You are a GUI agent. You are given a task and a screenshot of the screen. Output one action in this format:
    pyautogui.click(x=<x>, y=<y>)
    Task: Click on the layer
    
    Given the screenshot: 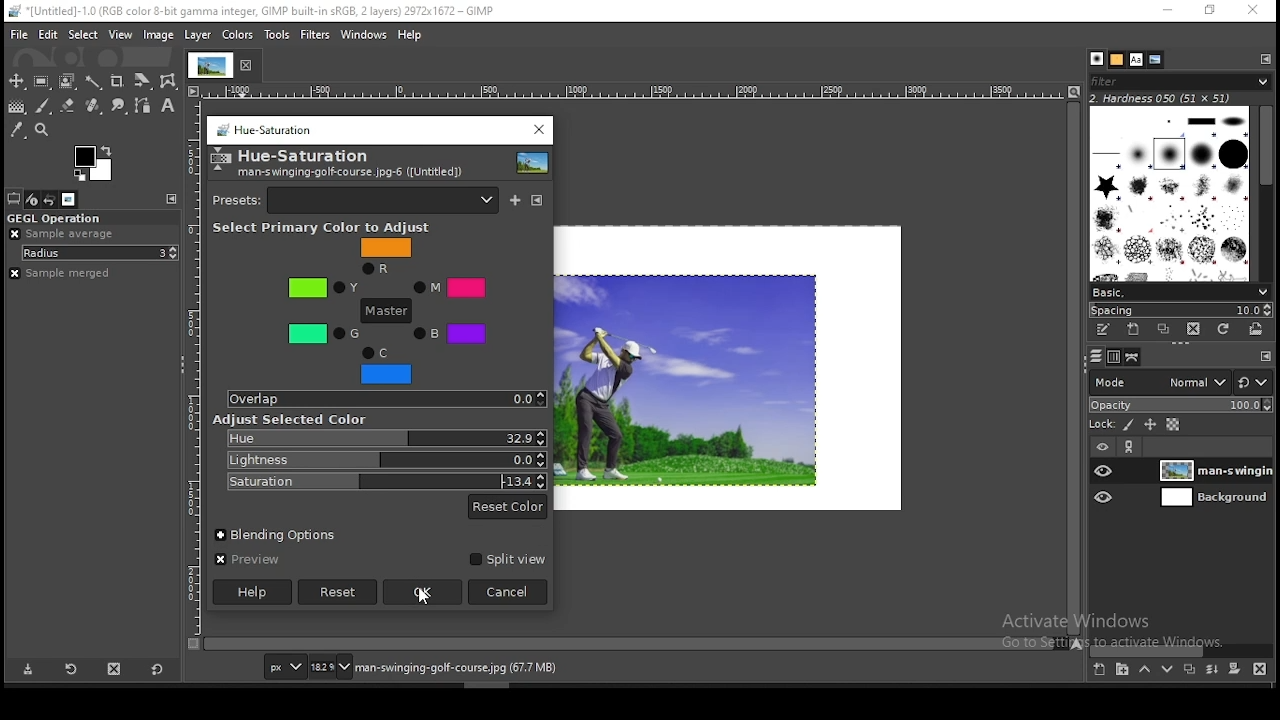 What is the action you would take?
    pyautogui.click(x=195, y=32)
    